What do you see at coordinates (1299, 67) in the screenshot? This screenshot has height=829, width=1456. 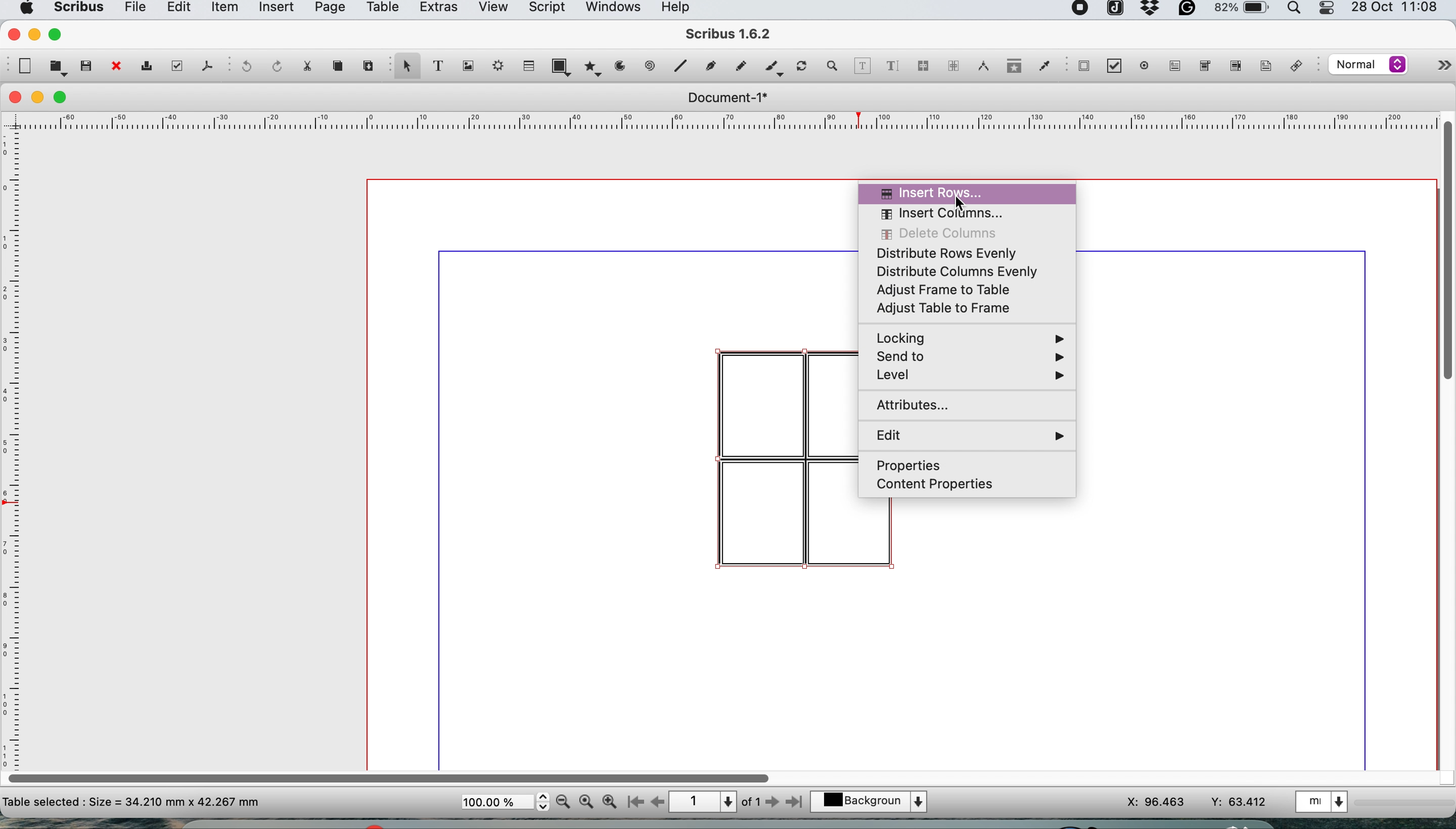 I see `link annotation` at bounding box center [1299, 67].